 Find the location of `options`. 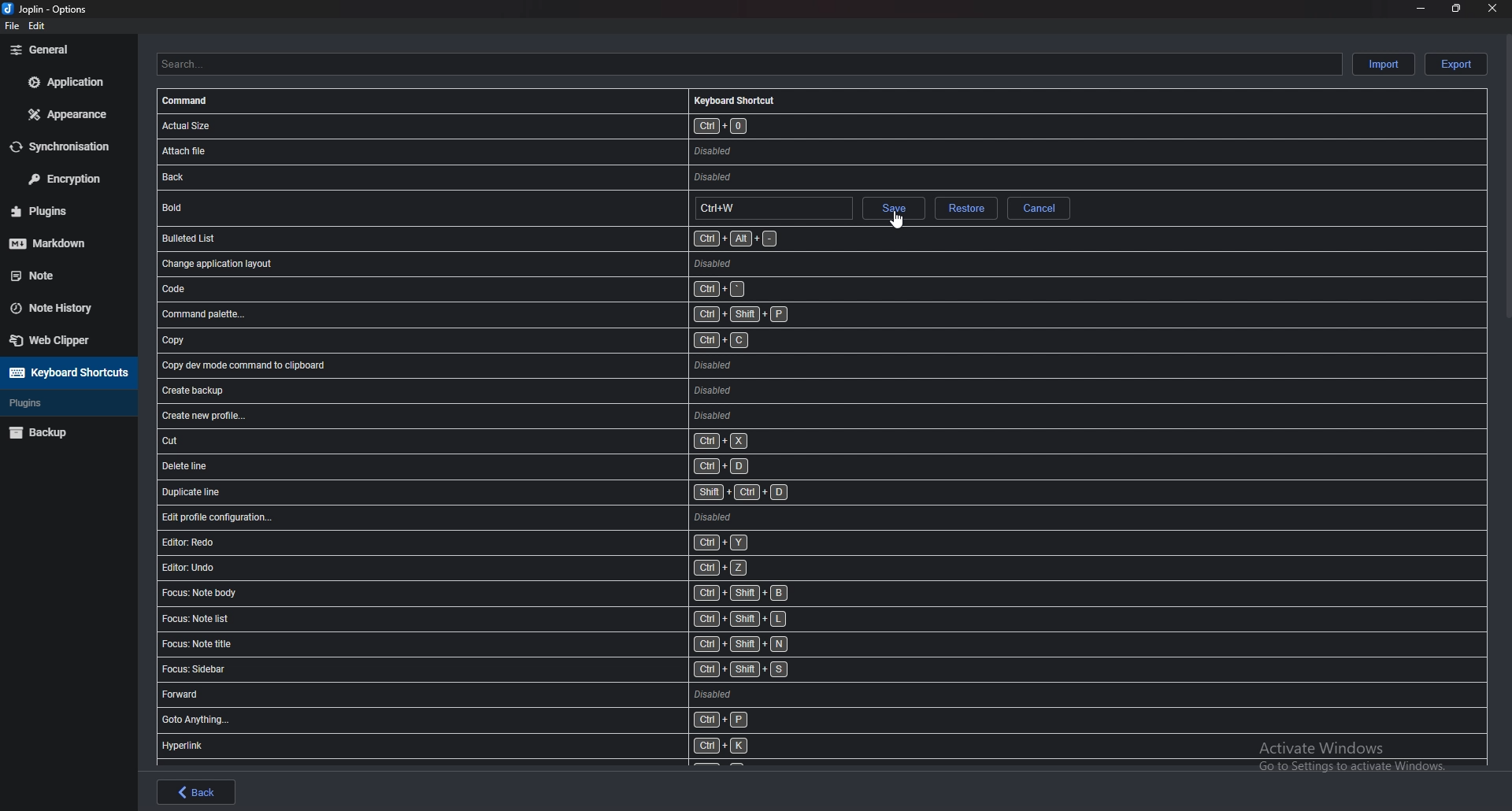

options is located at coordinates (47, 9).